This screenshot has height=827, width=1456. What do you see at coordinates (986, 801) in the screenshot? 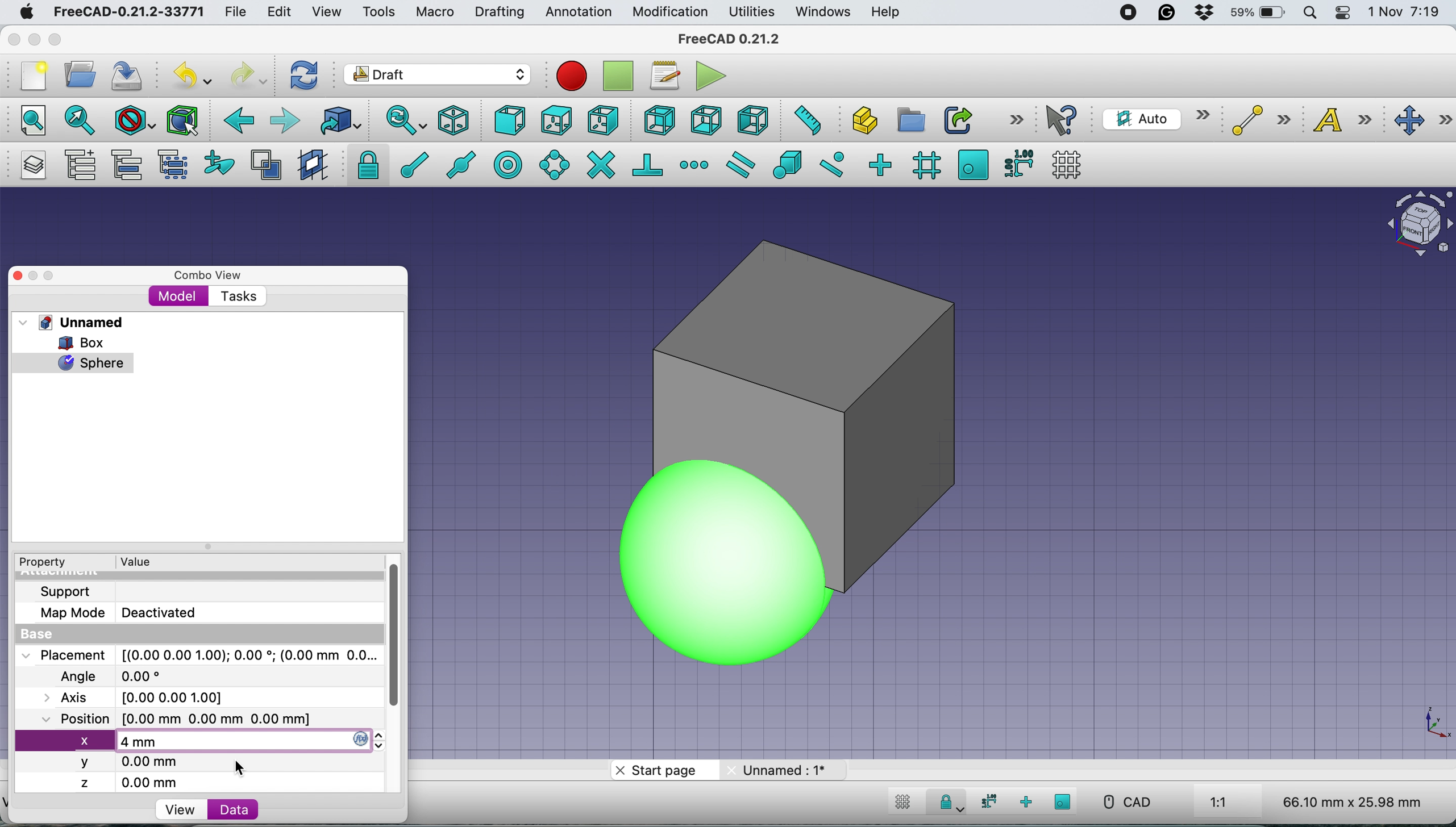
I see `snap dimensions` at bounding box center [986, 801].